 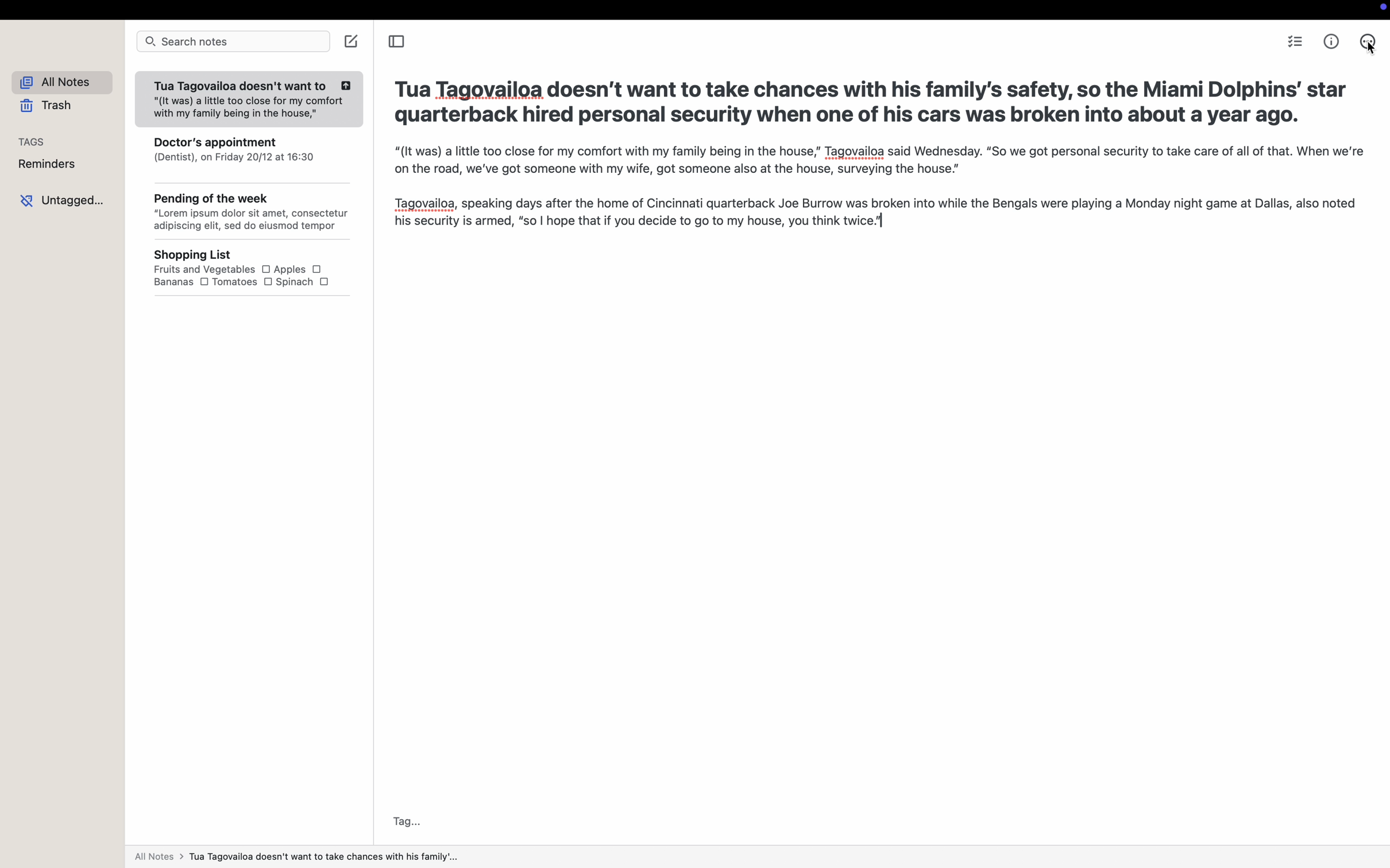 I want to click on Shopping List Fruits and Vegetables O Apples OBananas O Tomatoes O Spinach O, so click(x=245, y=274).